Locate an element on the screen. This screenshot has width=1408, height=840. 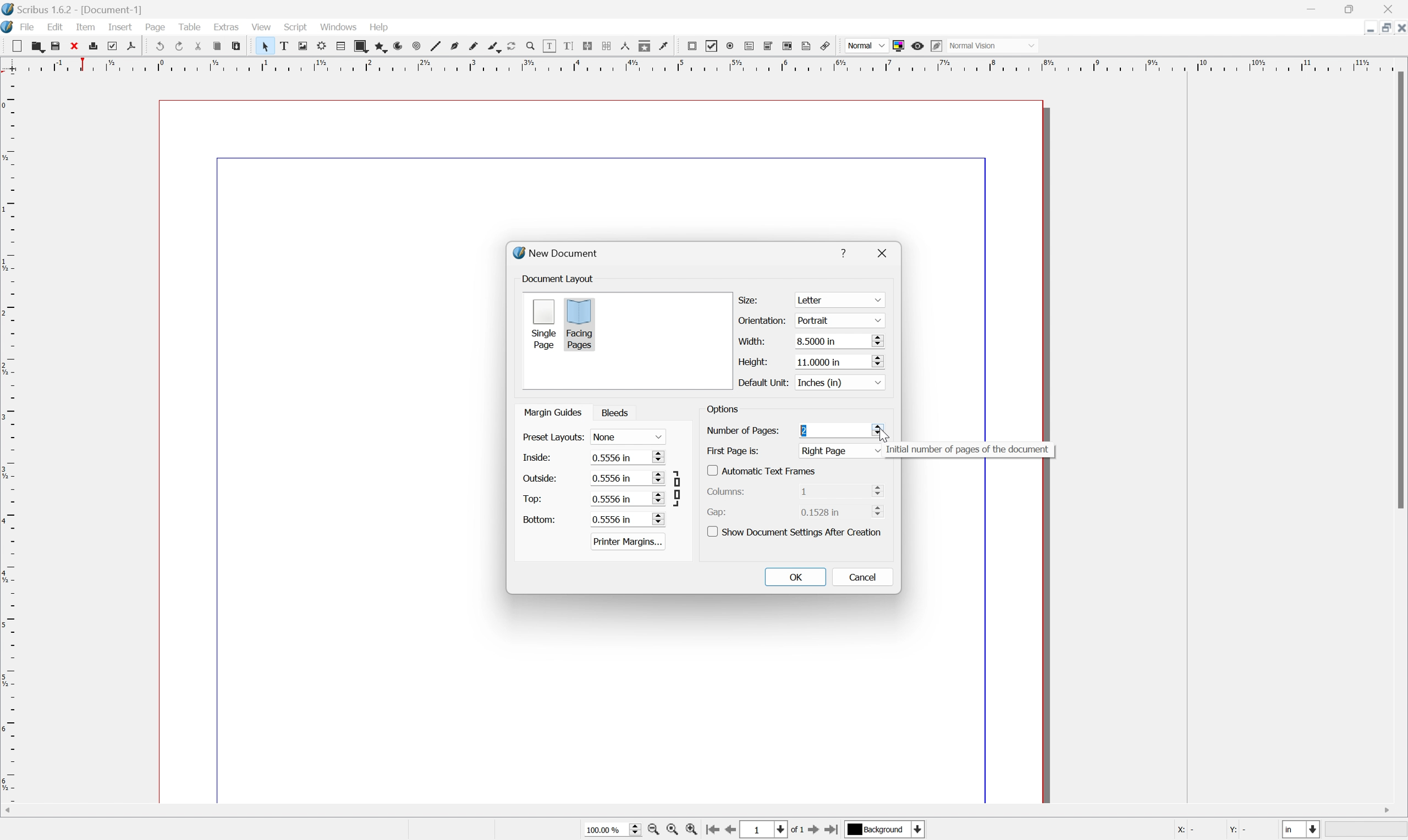
Toggle color management system is located at coordinates (898, 45).